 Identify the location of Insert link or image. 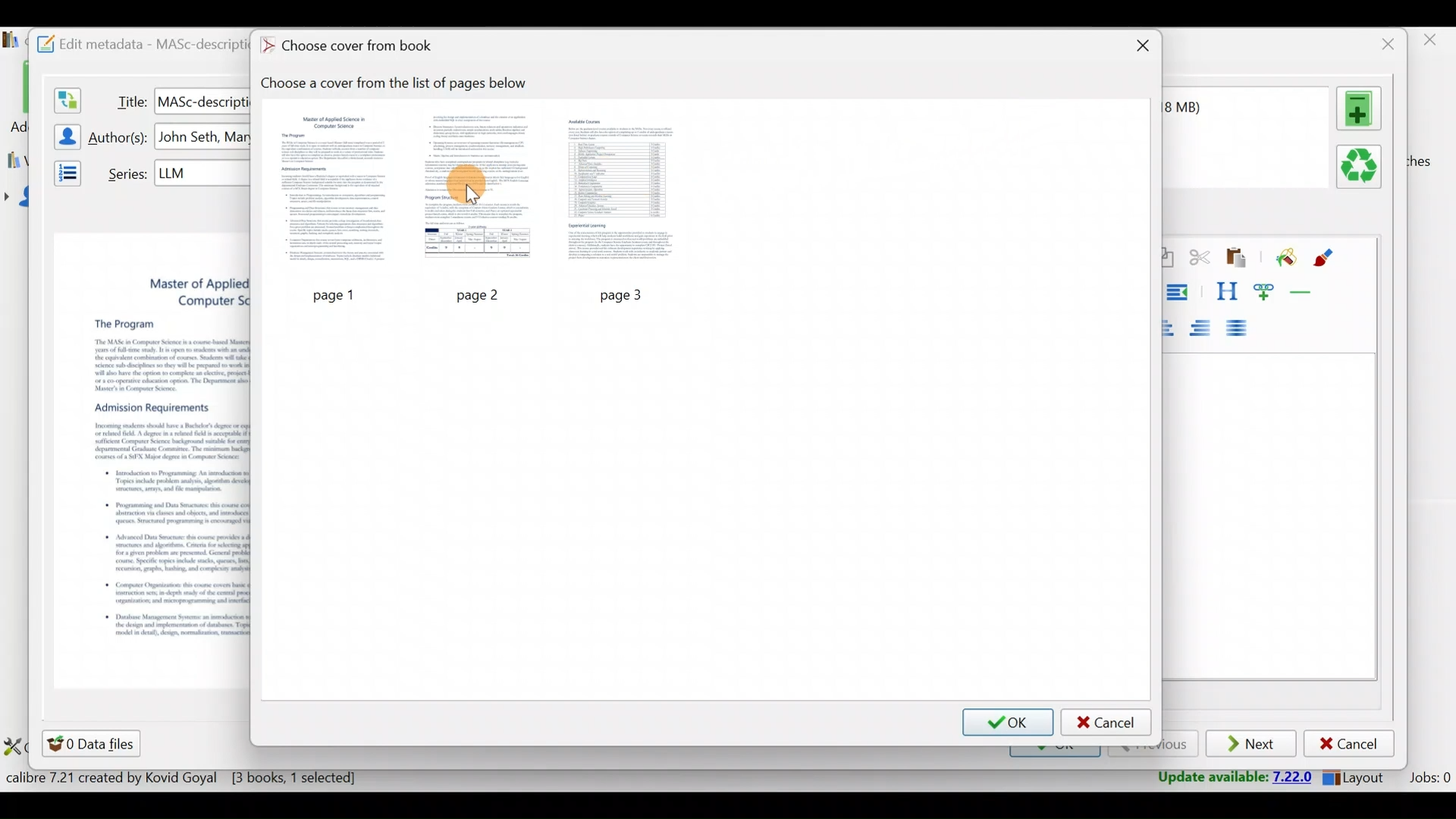
(1267, 291).